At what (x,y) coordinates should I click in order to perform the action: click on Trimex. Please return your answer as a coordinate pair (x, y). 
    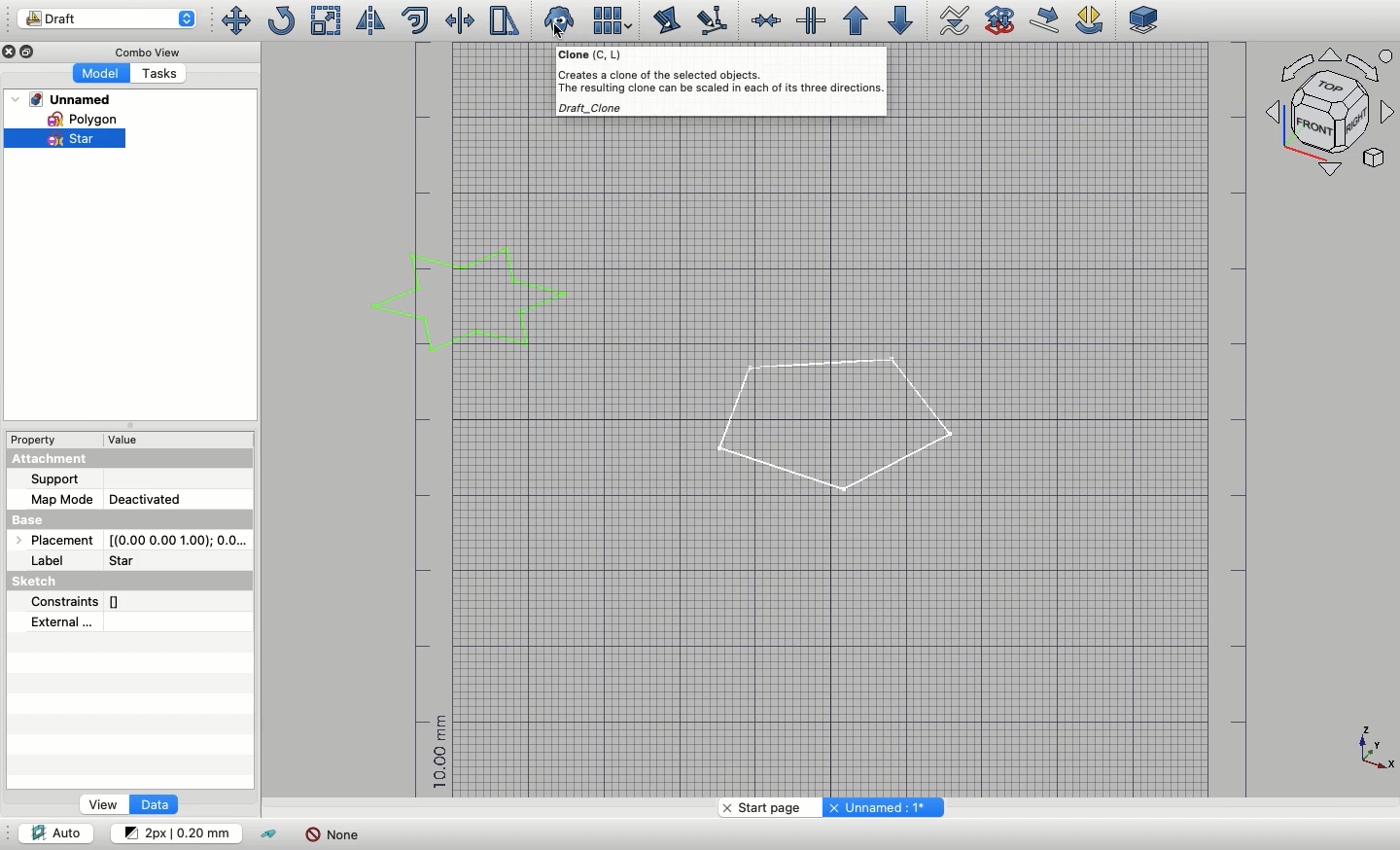
    Looking at the image, I should click on (462, 20).